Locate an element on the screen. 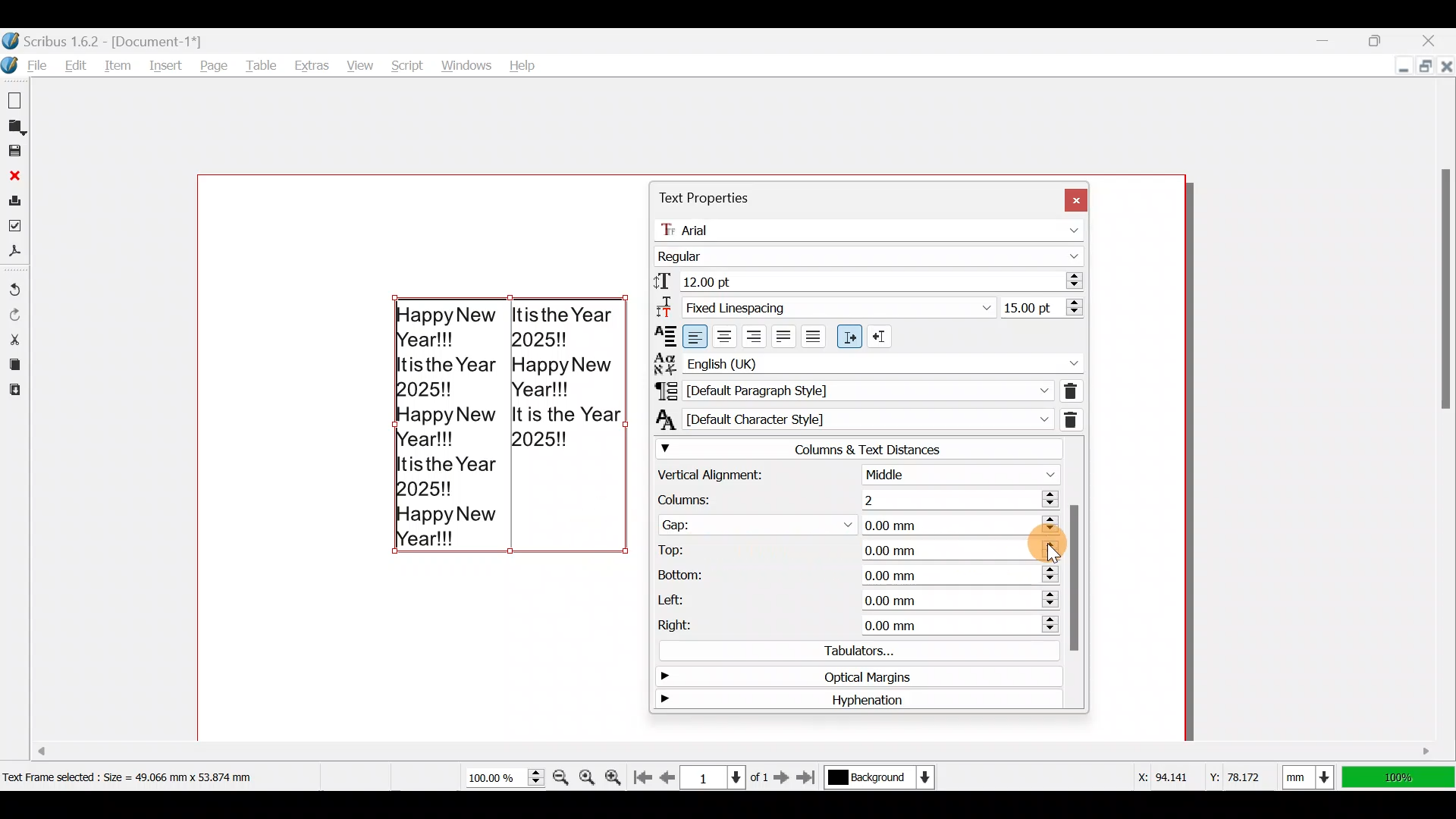 The height and width of the screenshot is (819, 1456). Optical margins is located at coordinates (849, 676).